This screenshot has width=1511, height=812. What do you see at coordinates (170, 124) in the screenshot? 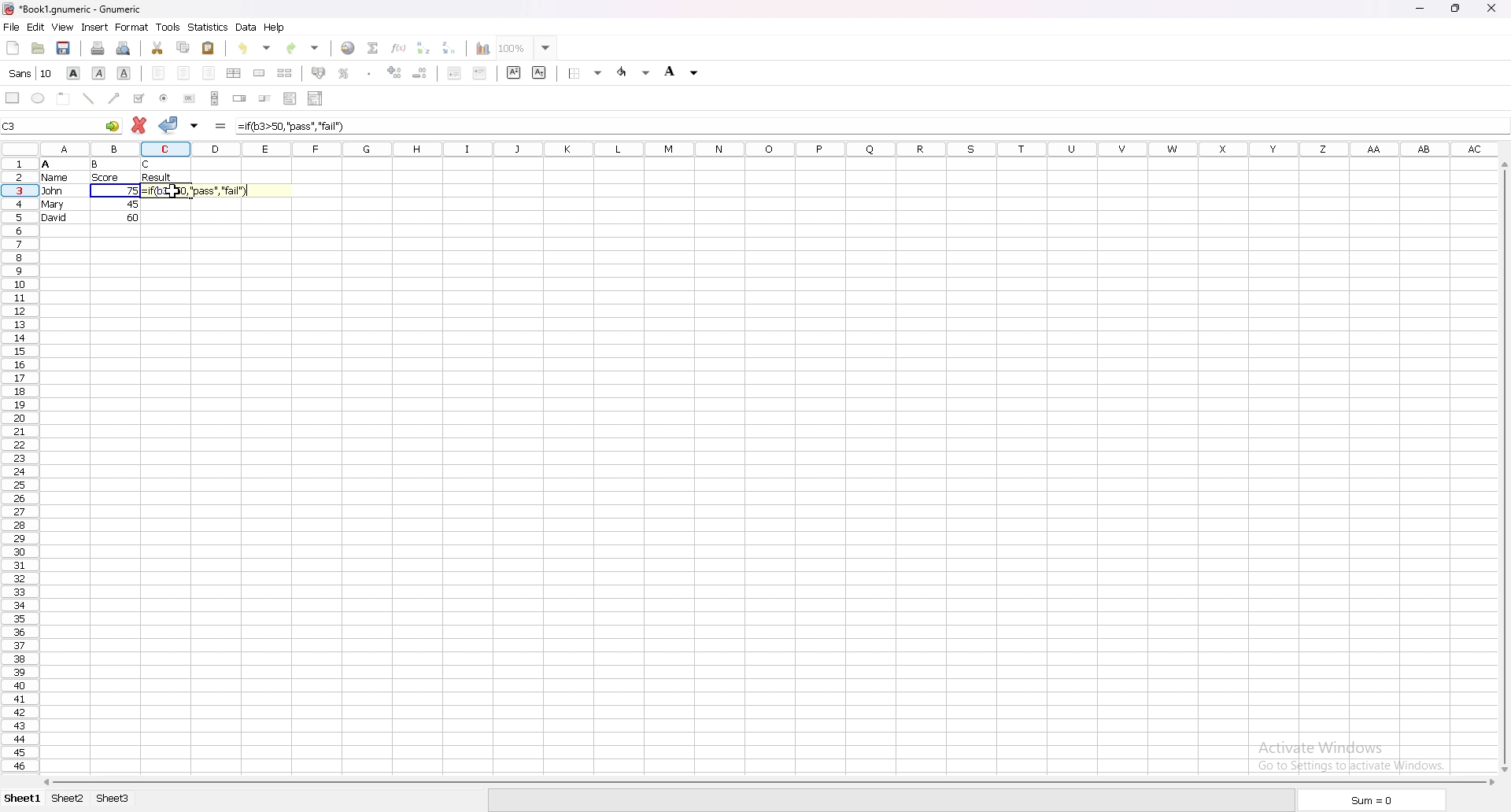
I see `accept change` at bounding box center [170, 124].